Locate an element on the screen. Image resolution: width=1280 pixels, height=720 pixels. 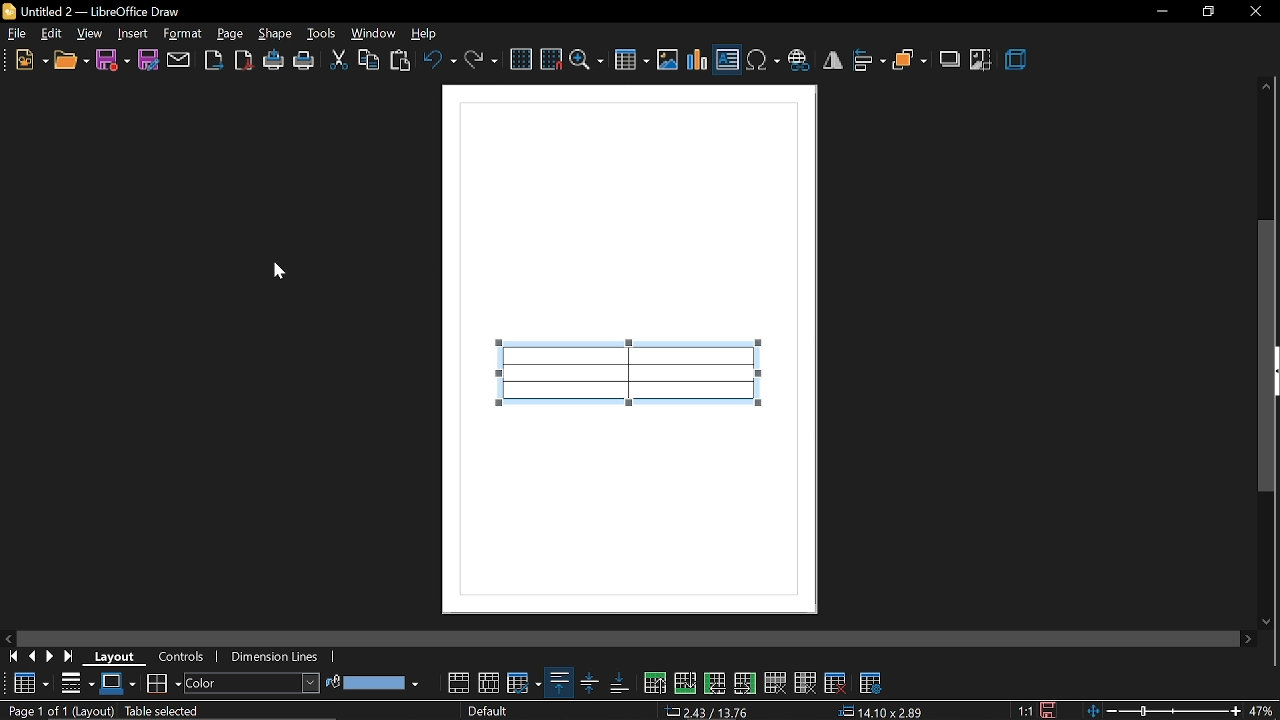
format is located at coordinates (182, 34).